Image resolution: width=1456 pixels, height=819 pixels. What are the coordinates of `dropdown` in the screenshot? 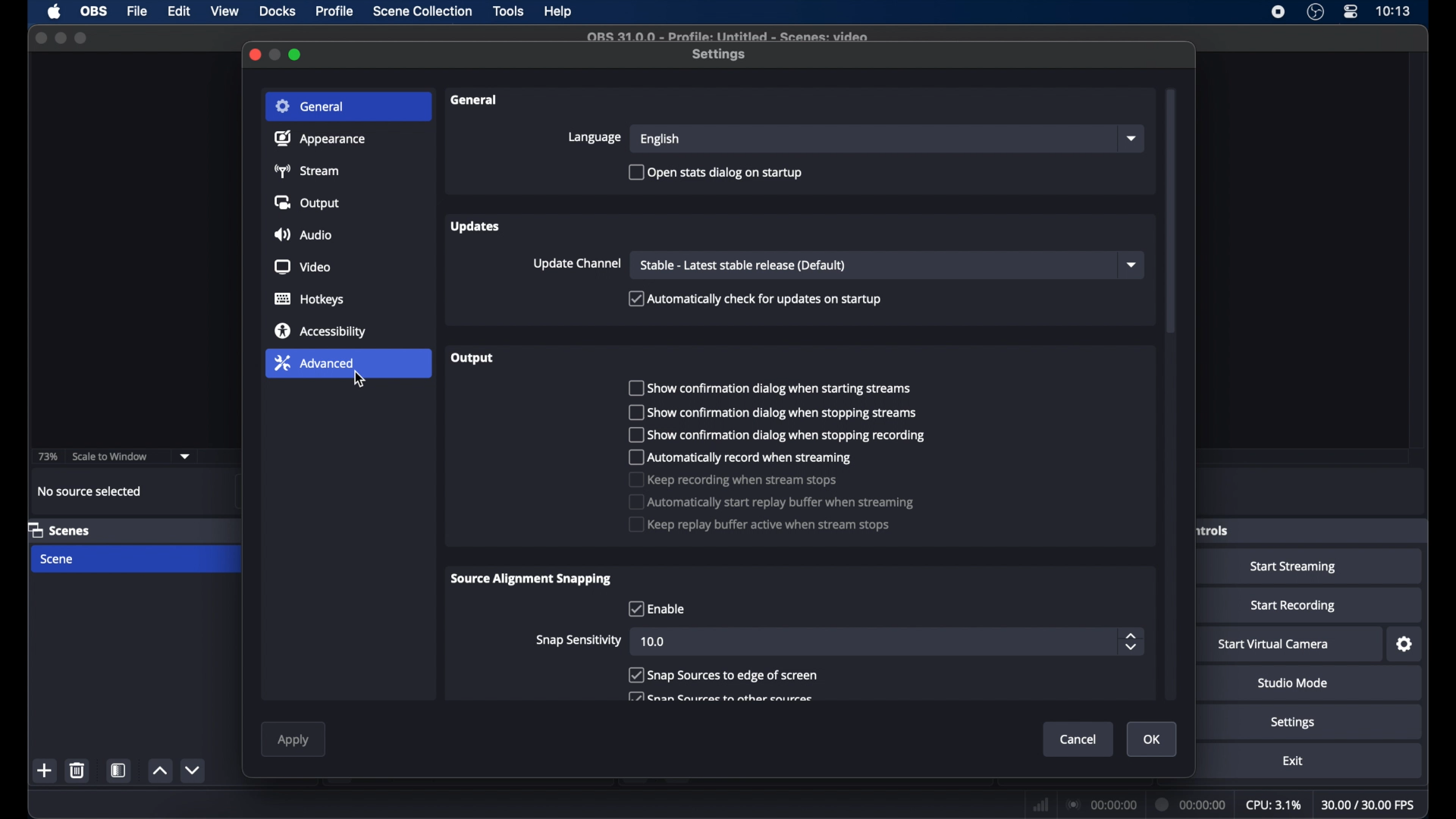 It's located at (1131, 265).